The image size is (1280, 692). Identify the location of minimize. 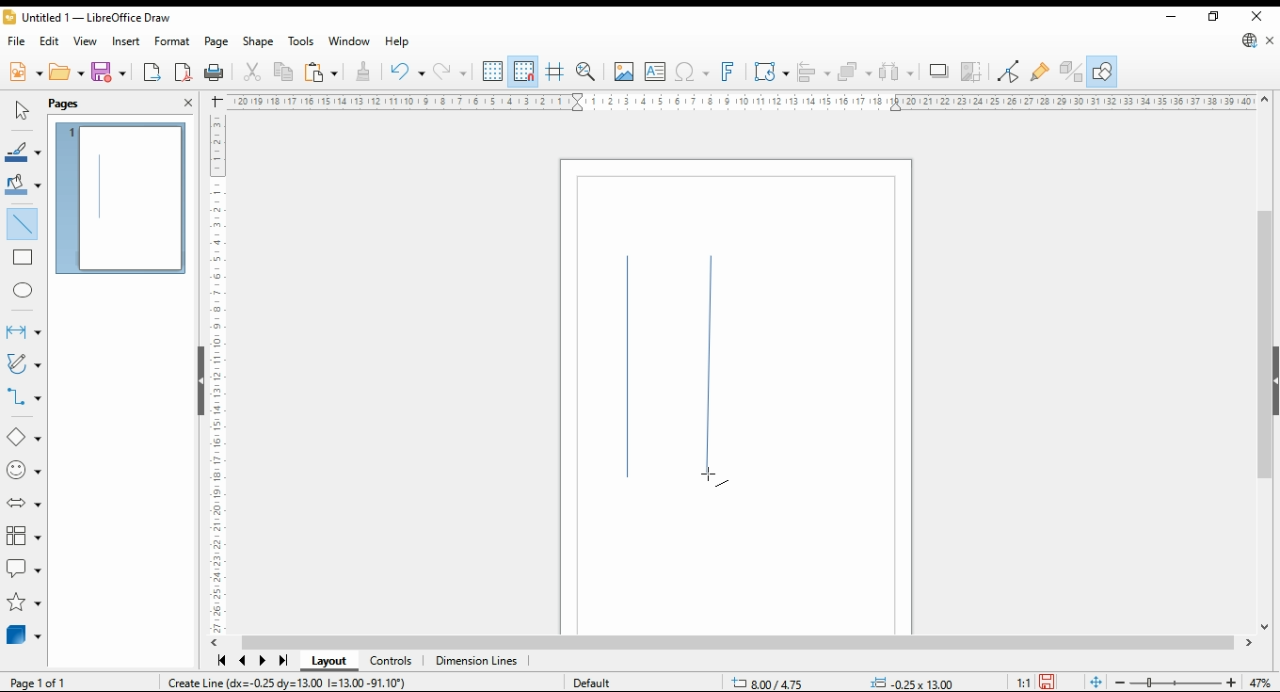
(1172, 17).